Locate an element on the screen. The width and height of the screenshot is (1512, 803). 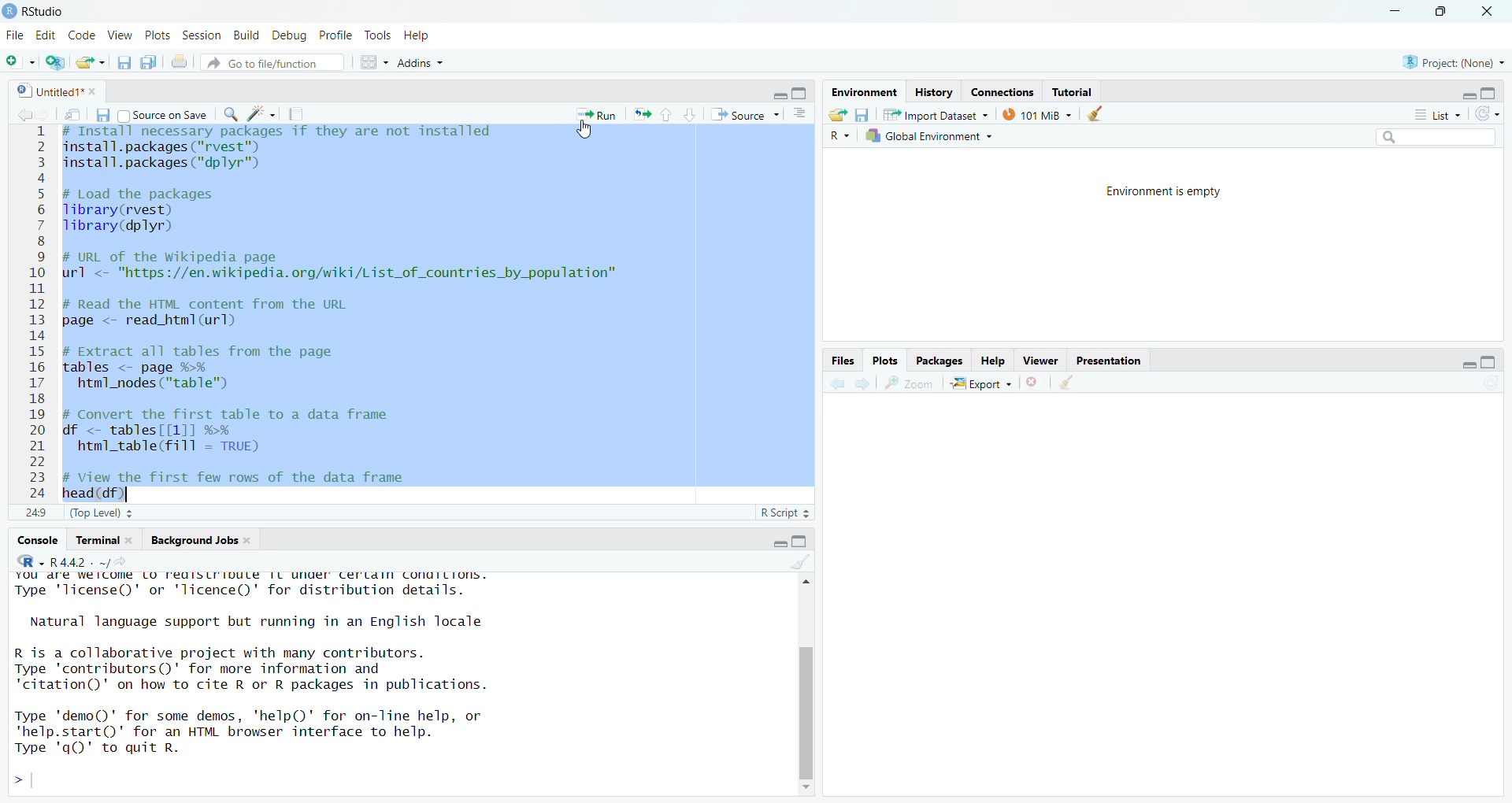
Presentation is located at coordinates (1107, 360).